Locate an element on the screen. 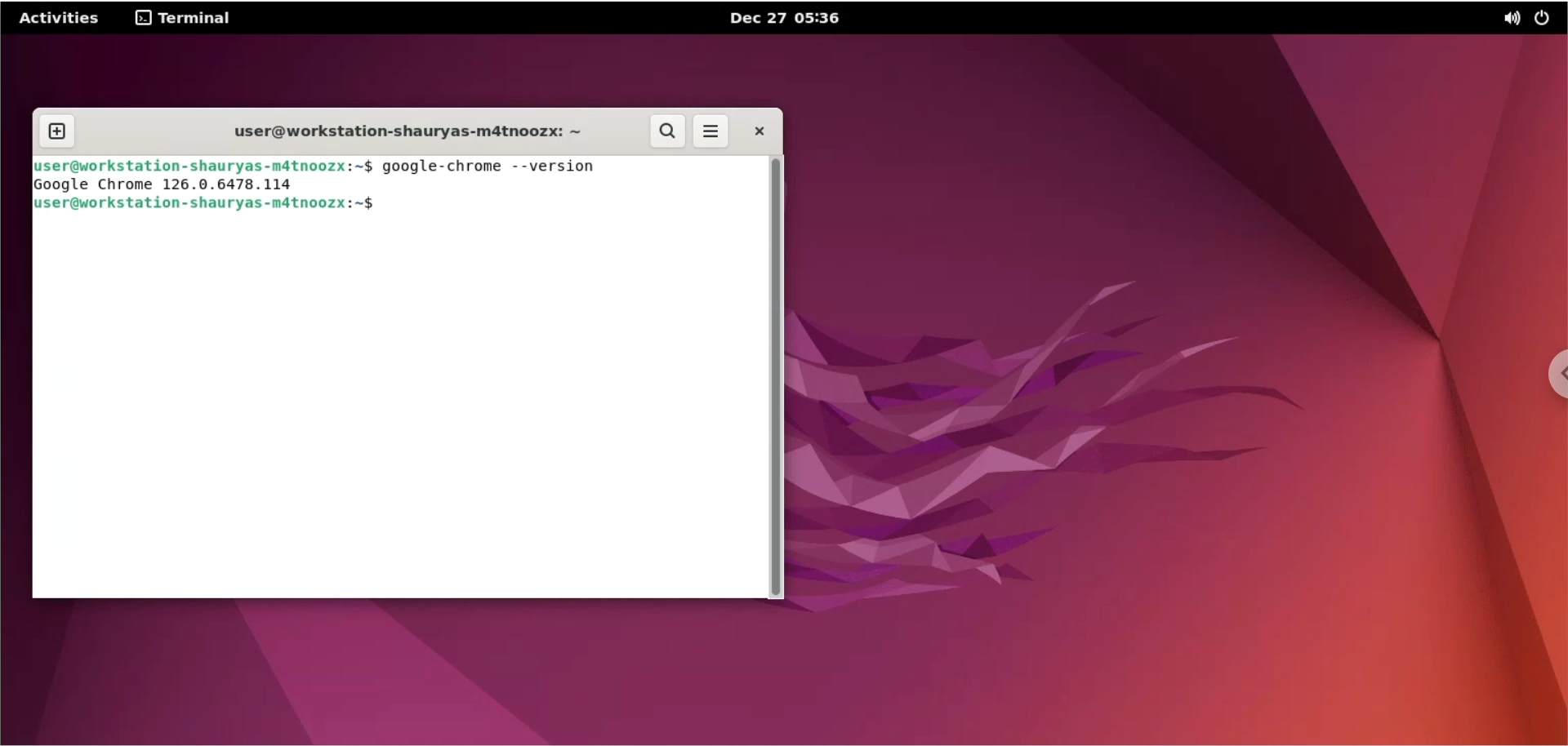  user@workstation-shauryas-m4tnoozx: ~$ is located at coordinates (223, 204).